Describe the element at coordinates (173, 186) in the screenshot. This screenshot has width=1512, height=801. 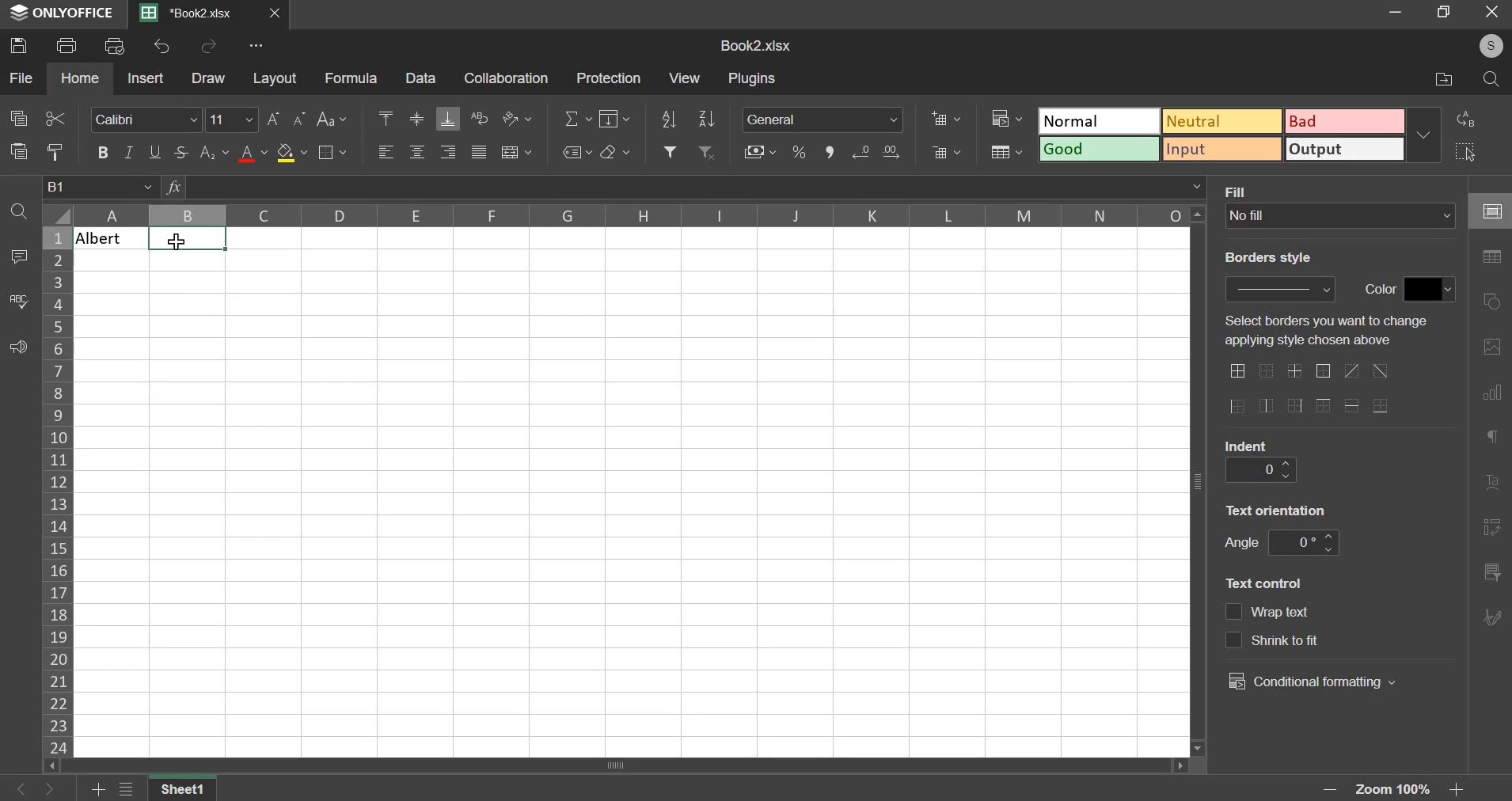
I see `function` at that location.